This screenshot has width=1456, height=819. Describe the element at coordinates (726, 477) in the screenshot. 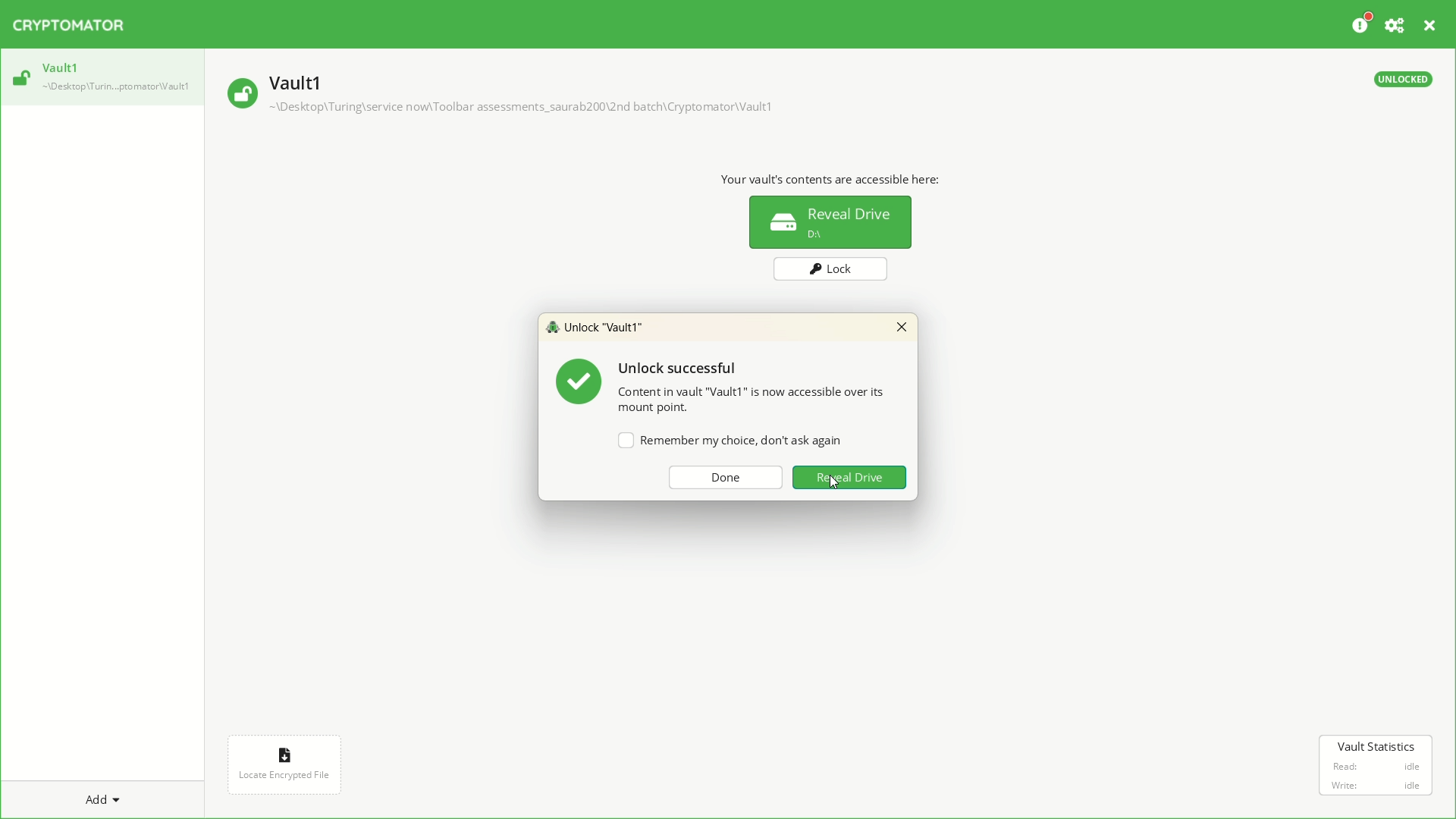

I see `done` at that location.